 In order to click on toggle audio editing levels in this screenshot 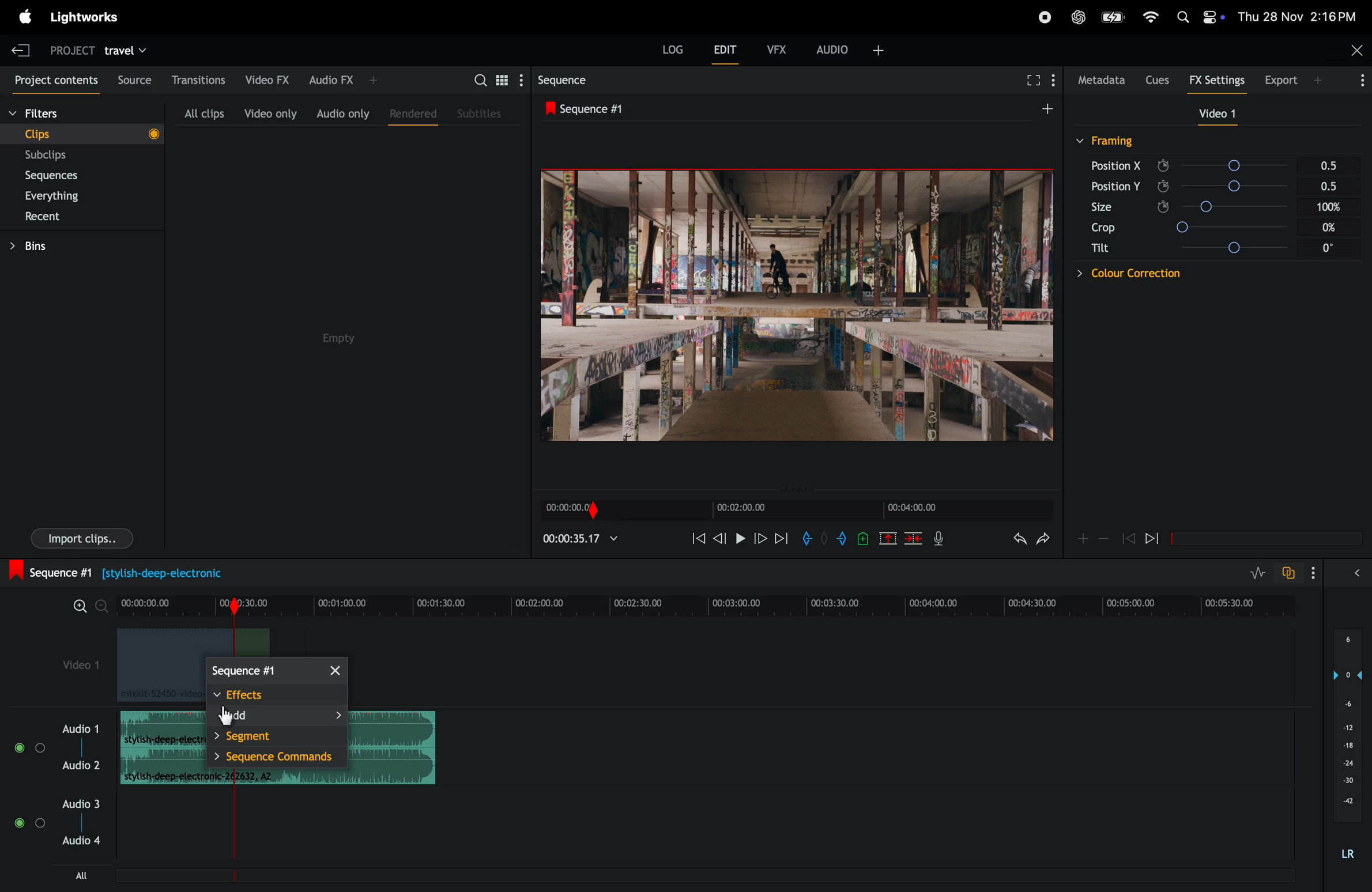, I will do `click(1258, 573)`.